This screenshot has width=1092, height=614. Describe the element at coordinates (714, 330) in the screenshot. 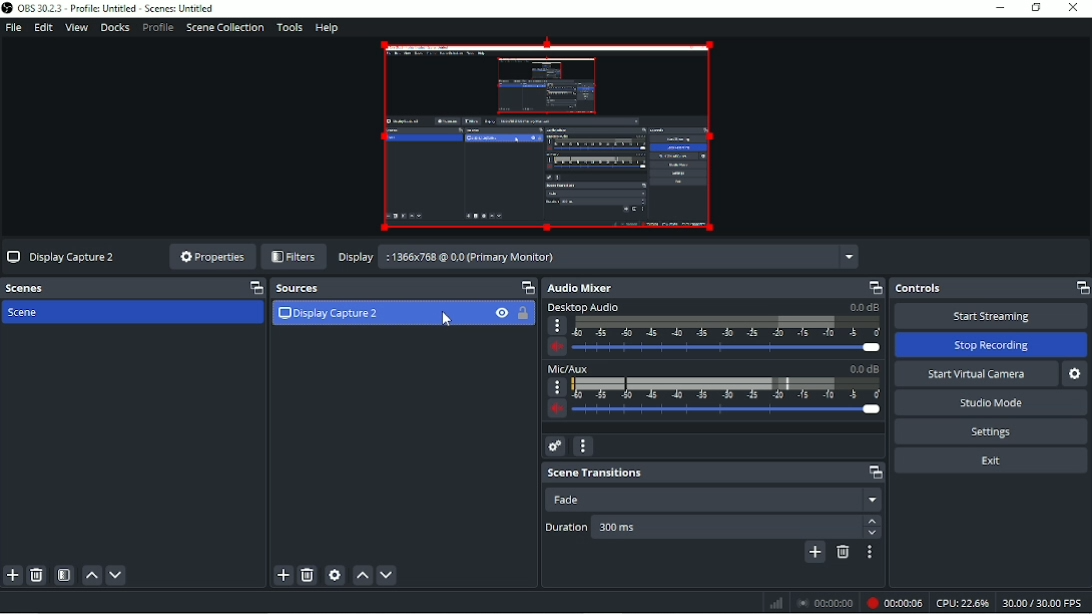

I see `Desktop audio slider` at that location.